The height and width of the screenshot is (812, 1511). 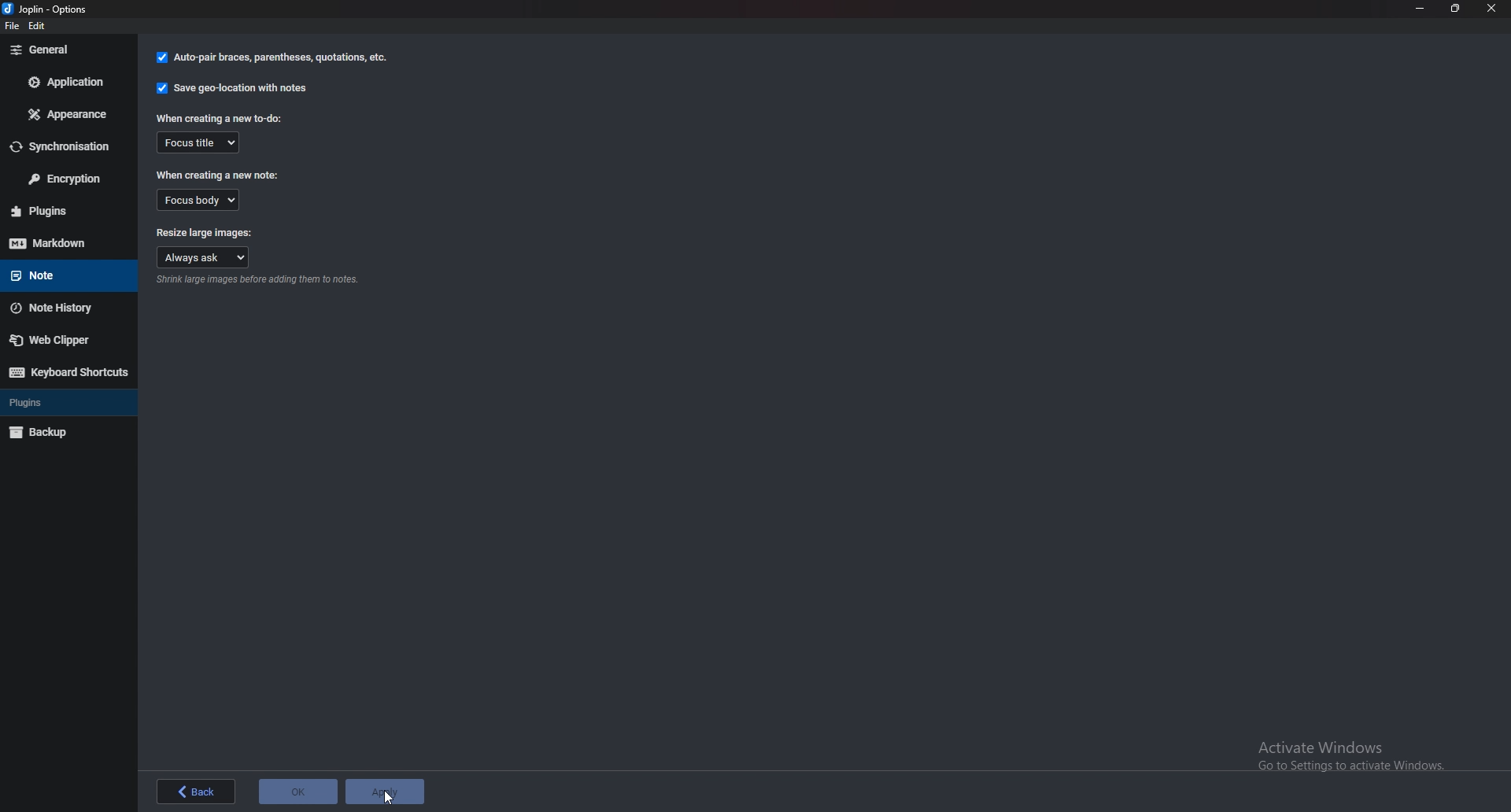 I want to click on mark down, so click(x=57, y=243).